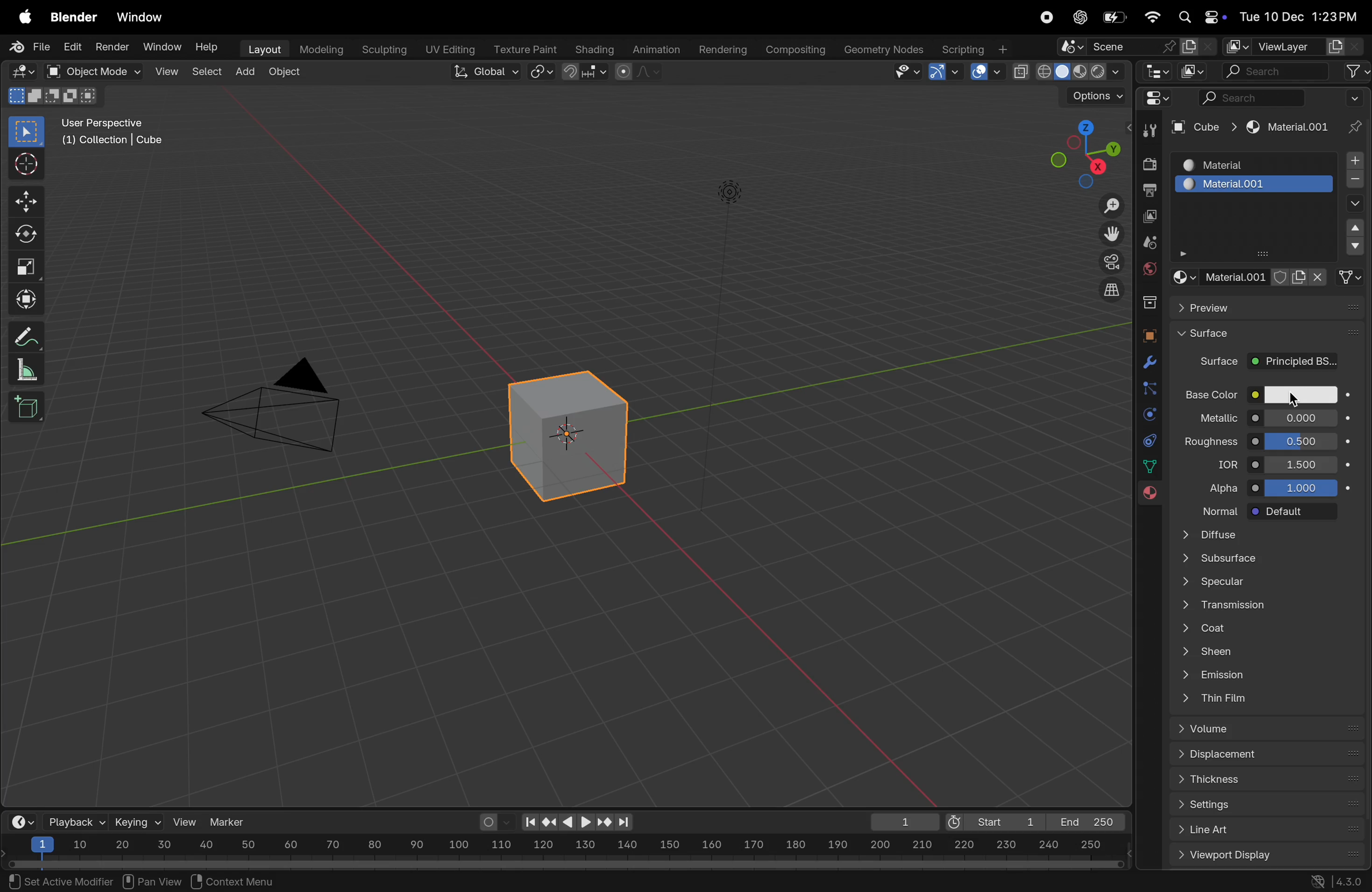 Image resolution: width=1372 pixels, height=892 pixels. Describe the element at coordinates (1352, 114) in the screenshot. I see `pin` at that location.